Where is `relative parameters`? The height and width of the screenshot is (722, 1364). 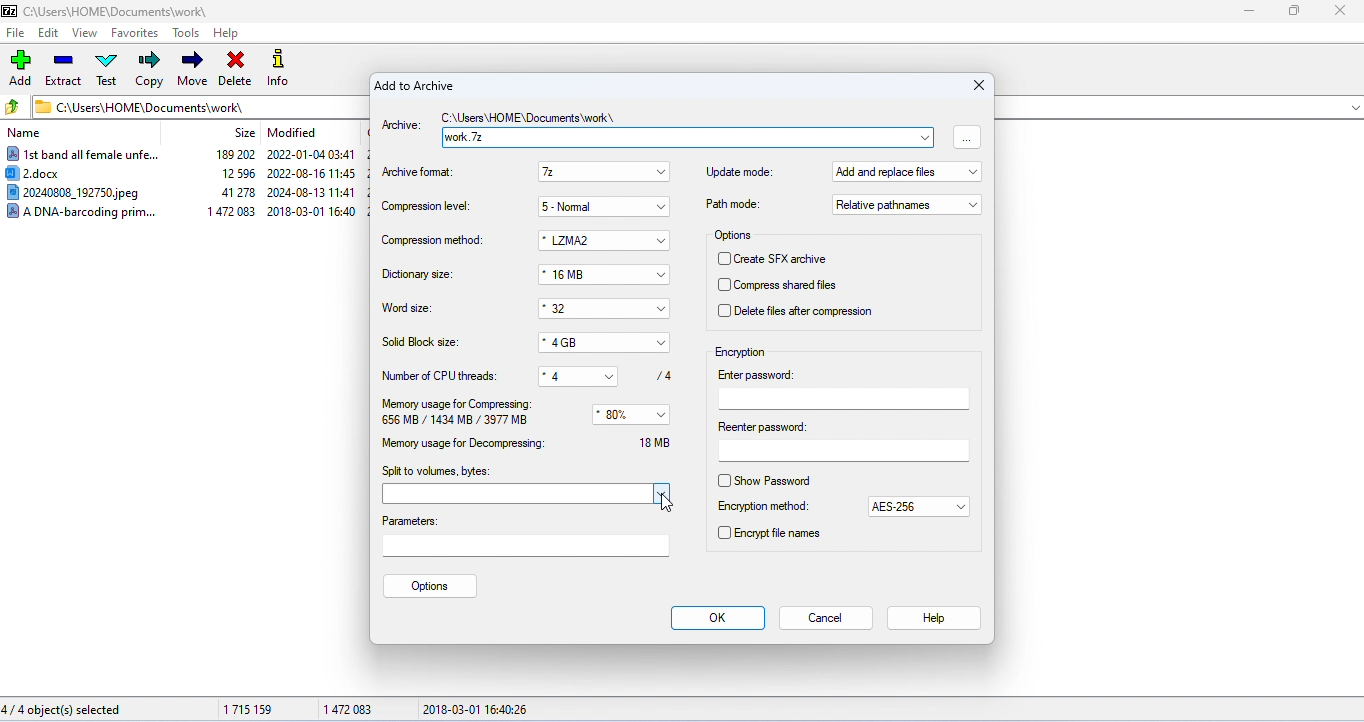
relative parameters is located at coordinates (907, 204).